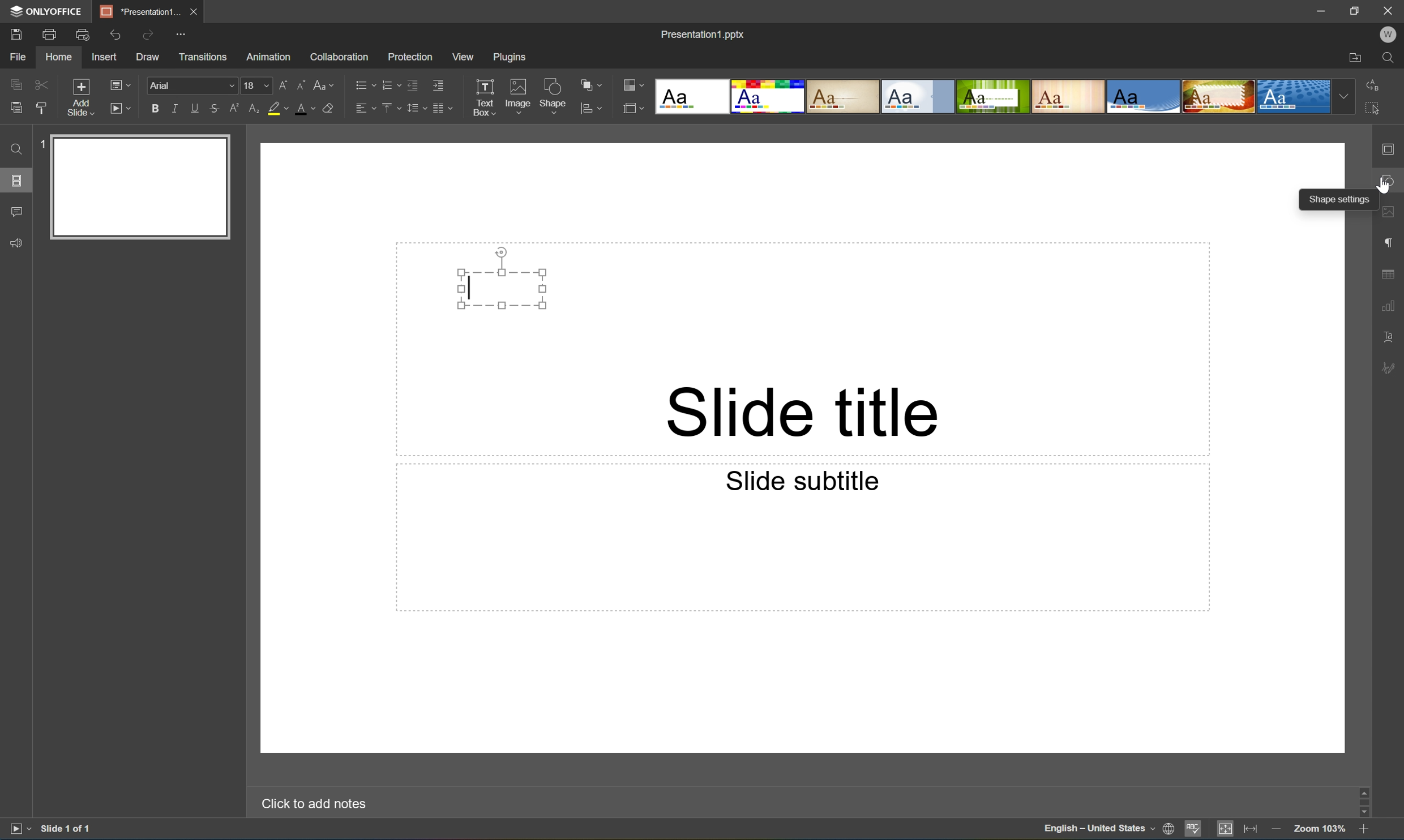 The width and height of the screenshot is (1404, 840). What do you see at coordinates (701, 32) in the screenshot?
I see `Presentation1.pptx` at bounding box center [701, 32].